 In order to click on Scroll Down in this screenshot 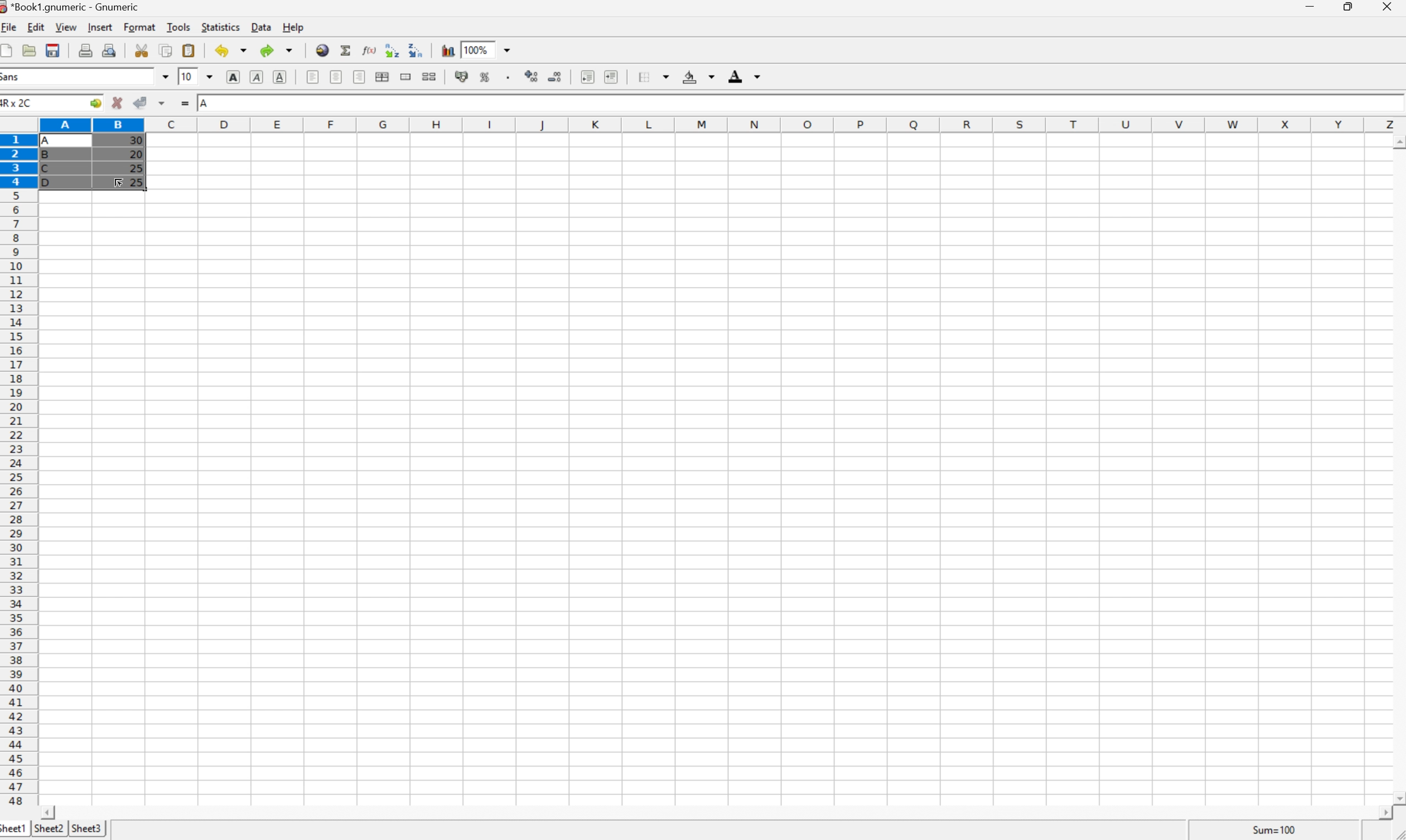, I will do `click(1397, 797)`.